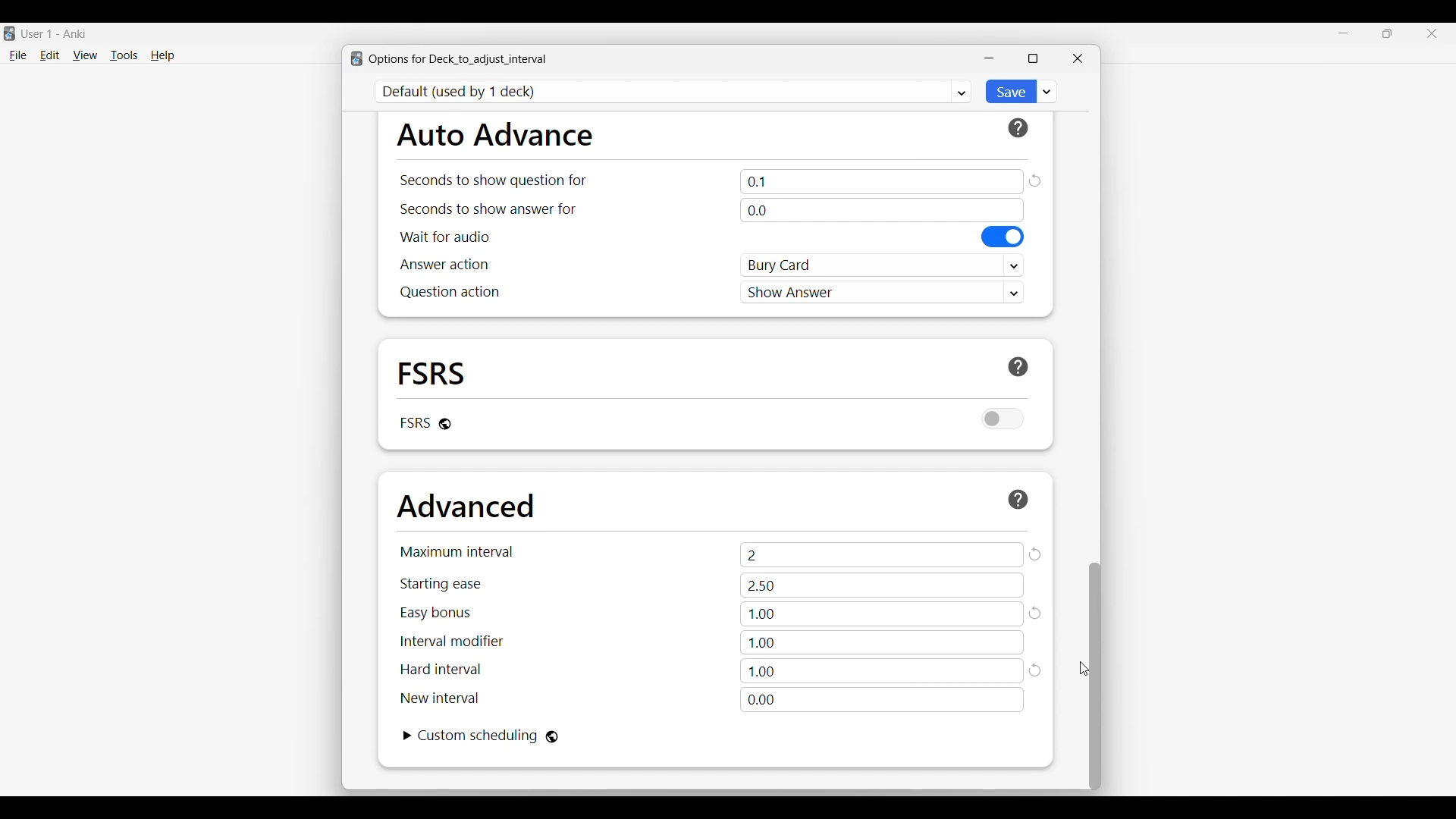 The height and width of the screenshot is (819, 1456). Describe the element at coordinates (488, 209) in the screenshot. I see `Indicates seconds to show answer for` at that location.